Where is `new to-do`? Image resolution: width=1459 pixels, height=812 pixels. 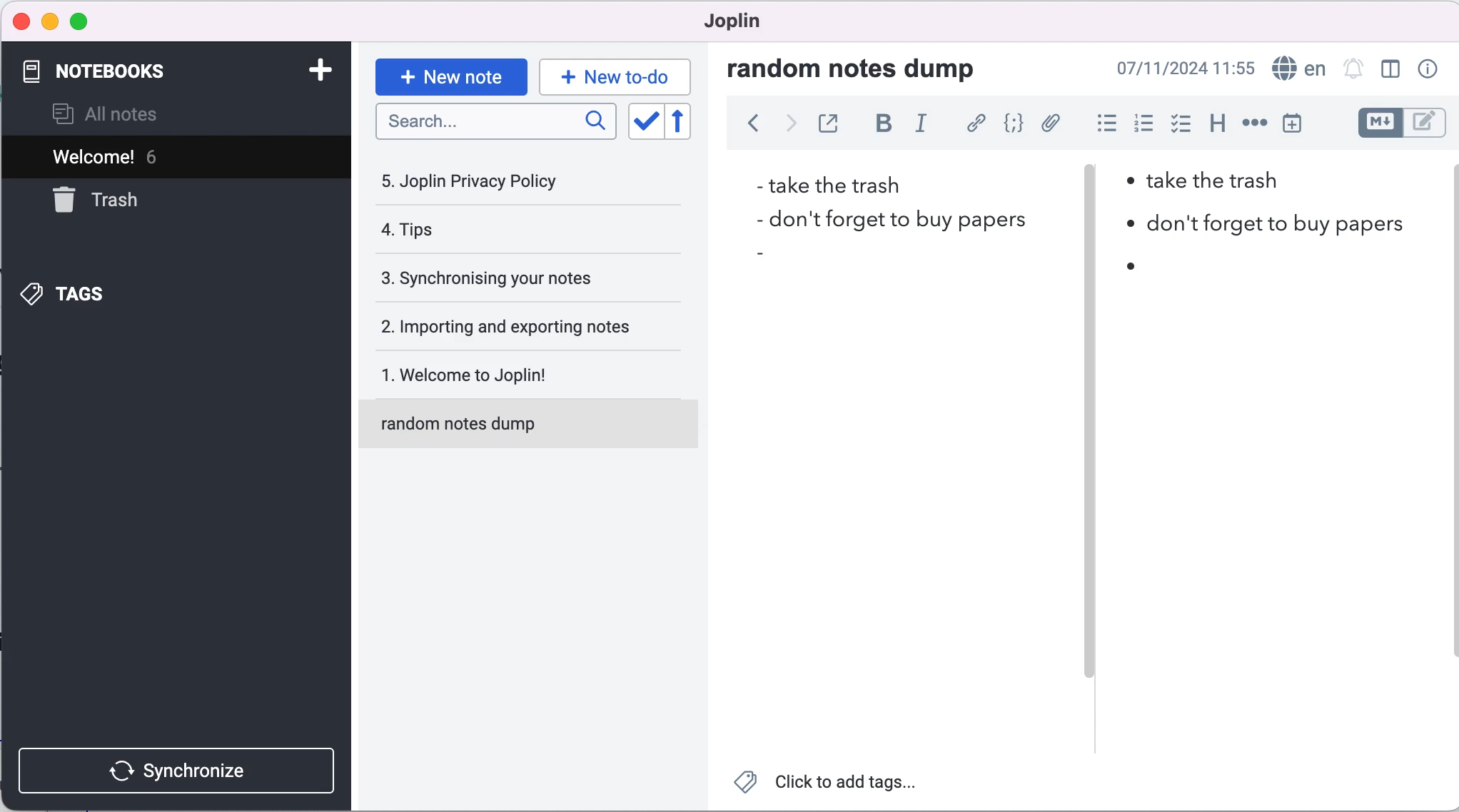 new to-do is located at coordinates (617, 76).